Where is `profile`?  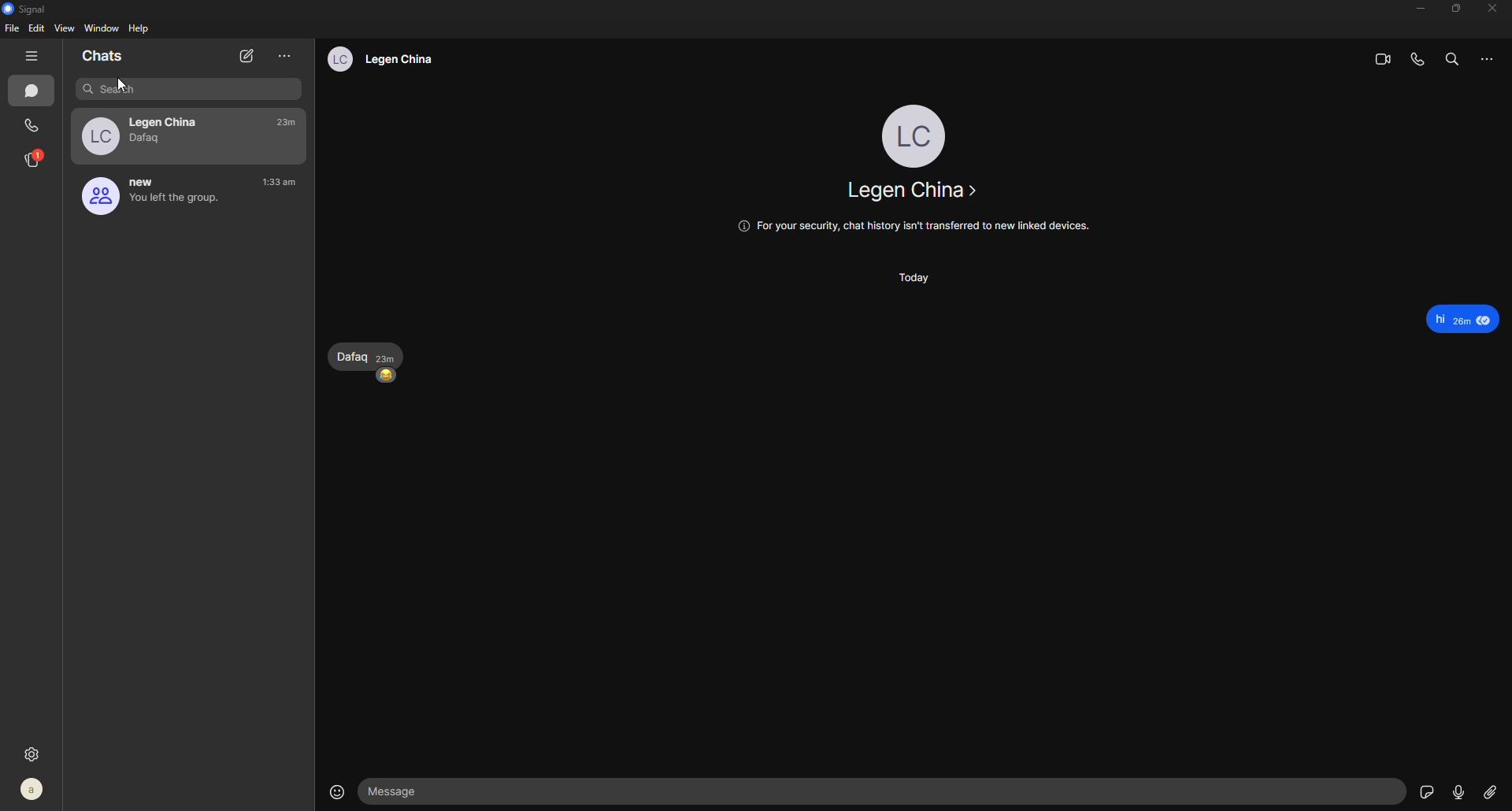 profile is located at coordinates (34, 791).